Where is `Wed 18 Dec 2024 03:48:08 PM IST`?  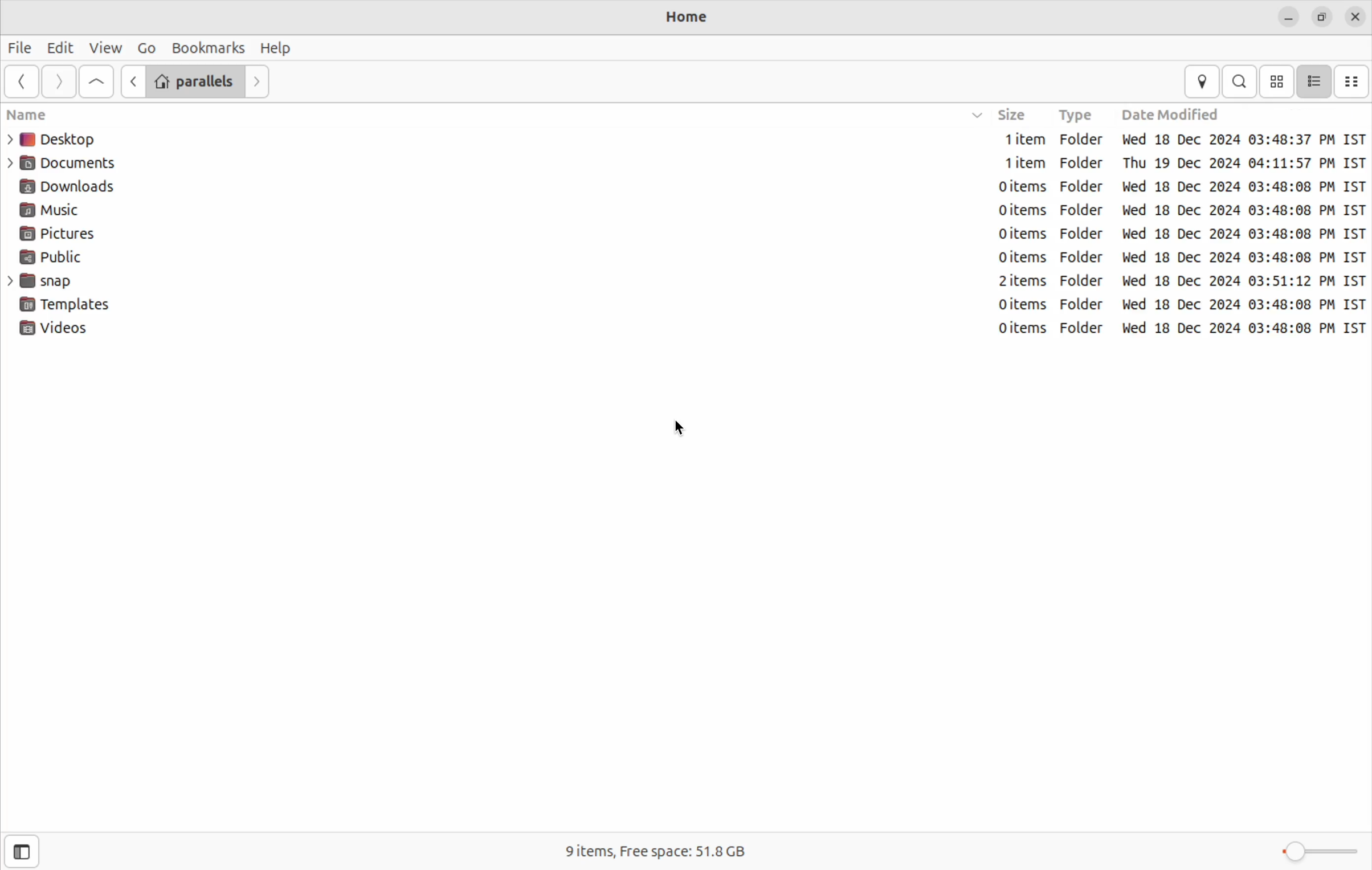 Wed 18 Dec 2024 03:48:08 PM IST is located at coordinates (1239, 187).